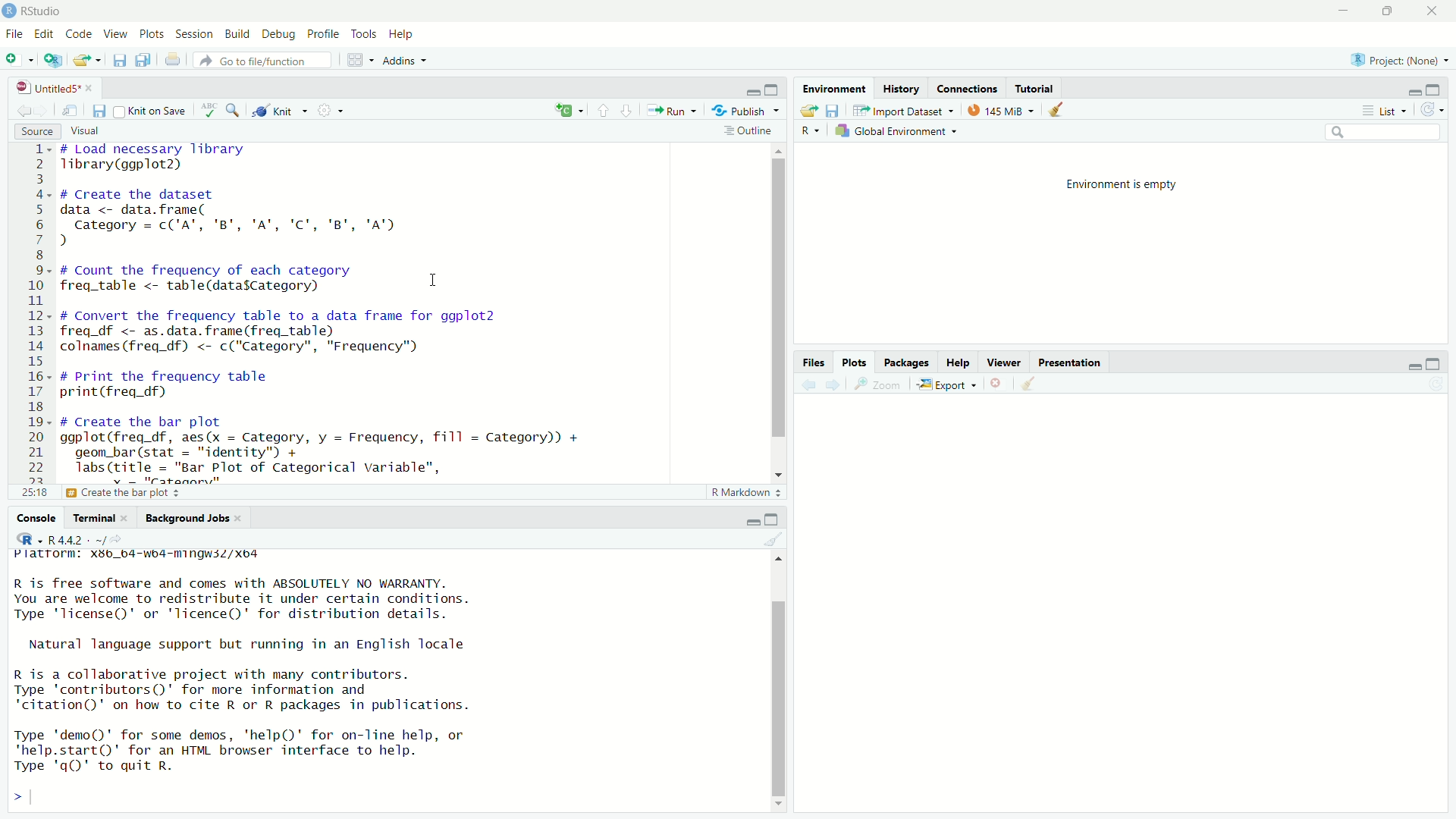 The height and width of the screenshot is (819, 1456). I want to click on R markdown, so click(748, 493).